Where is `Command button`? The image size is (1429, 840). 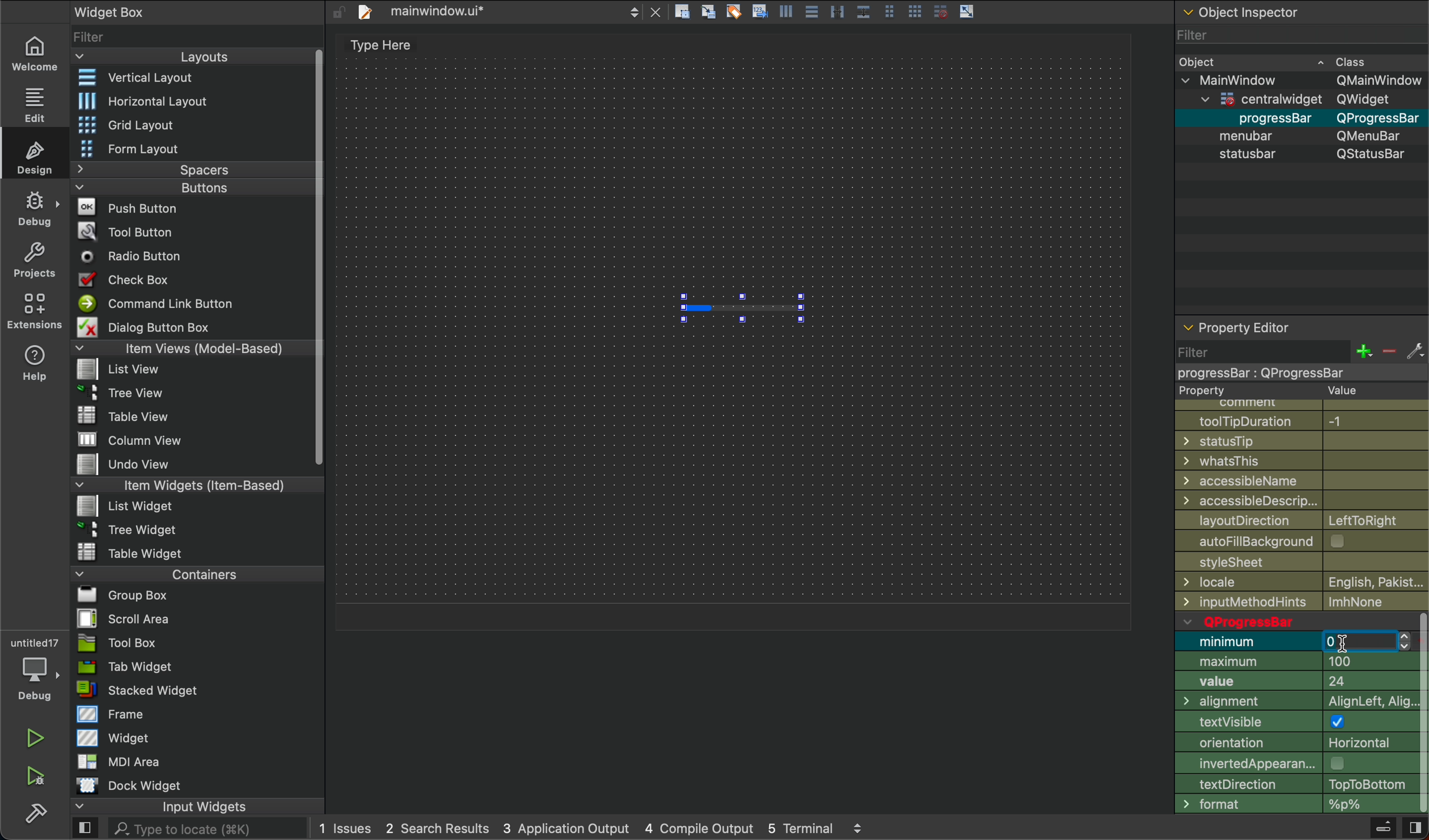
Command button is located at coordinates (161, 303).